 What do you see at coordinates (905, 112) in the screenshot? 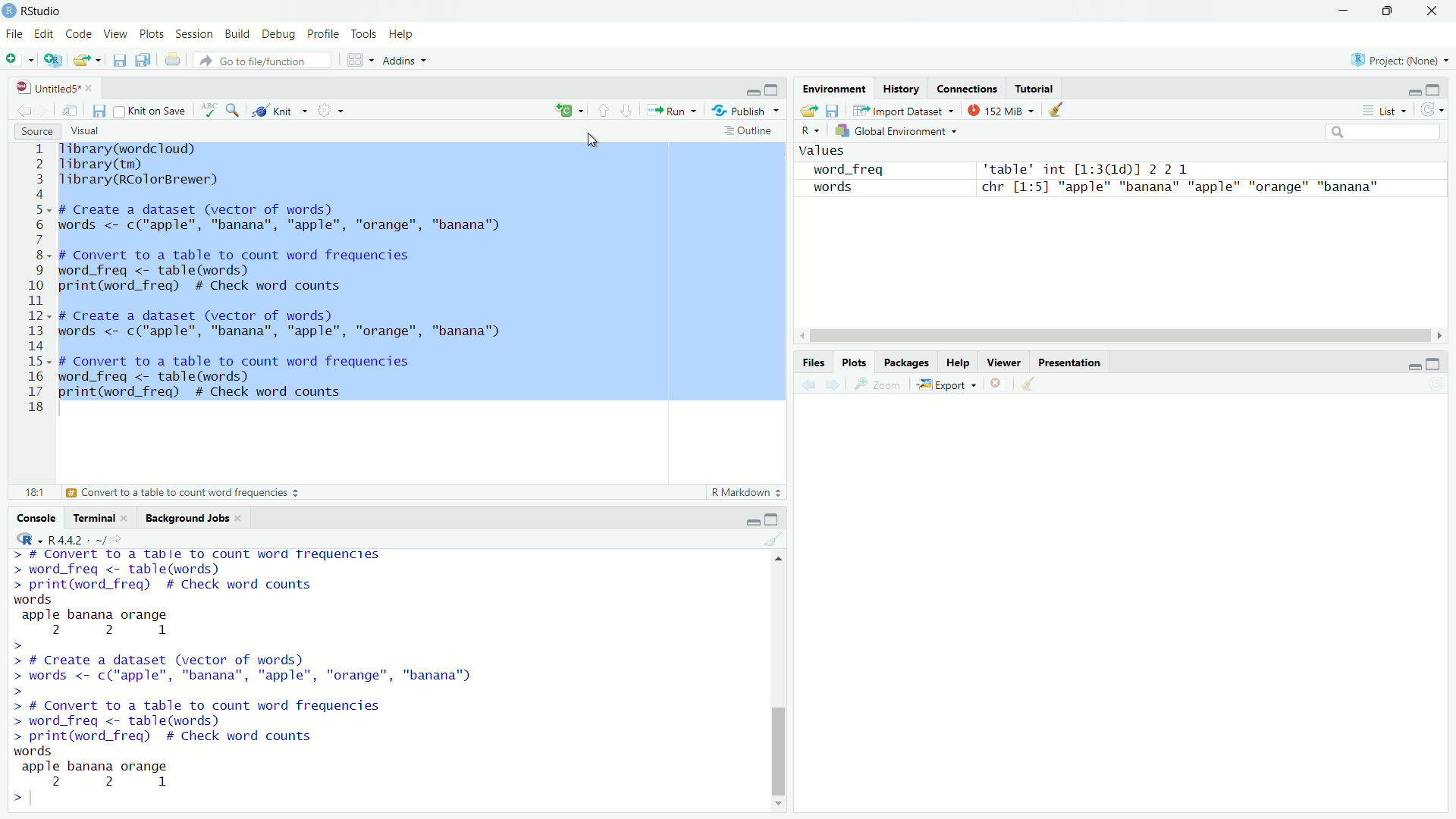
I see `Input Dataset` at bounding box center [905, 112].